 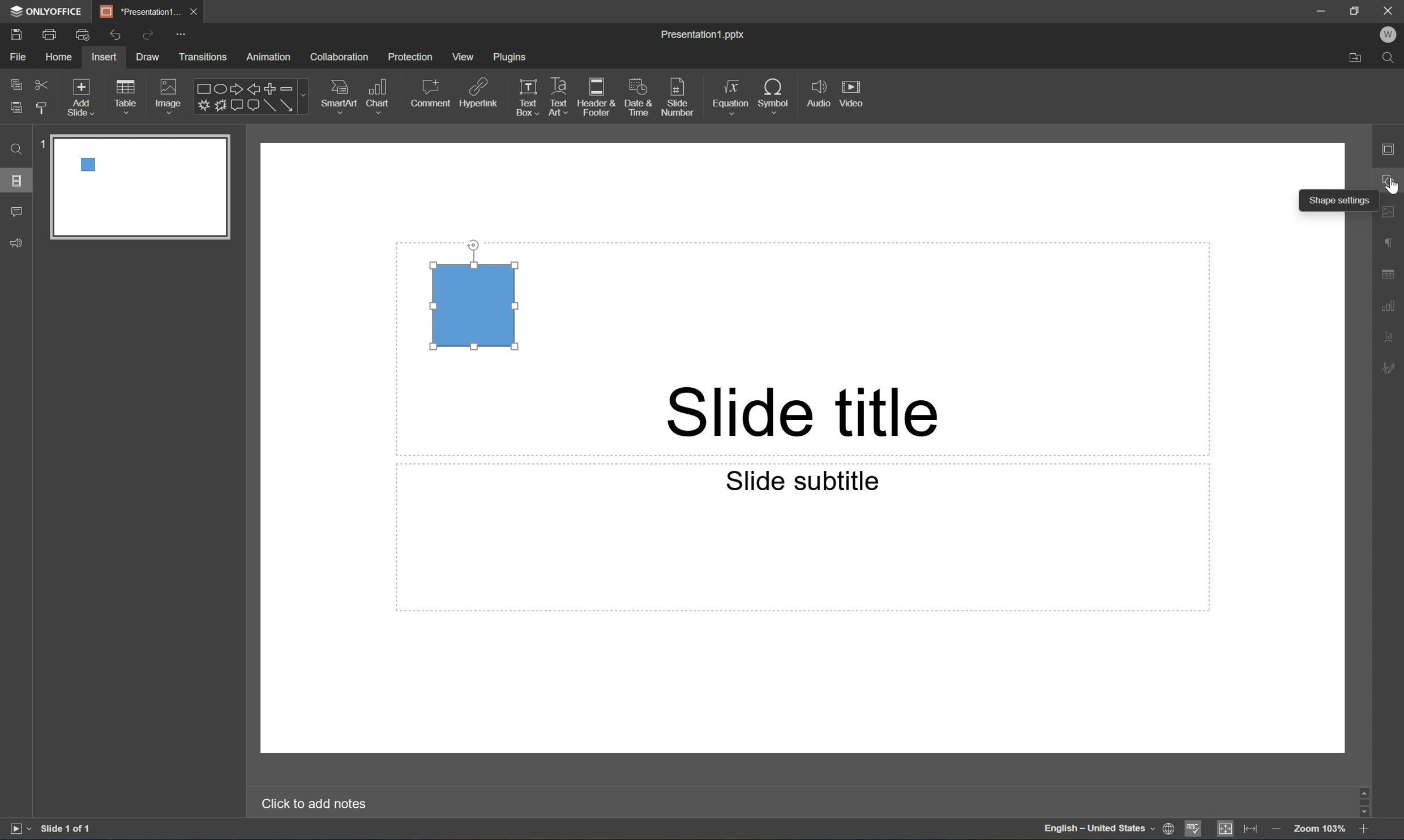 What do you see at coordinates (219, 90) in the screenshot?
I see `Ellipse` at bounding box center [219, 90].